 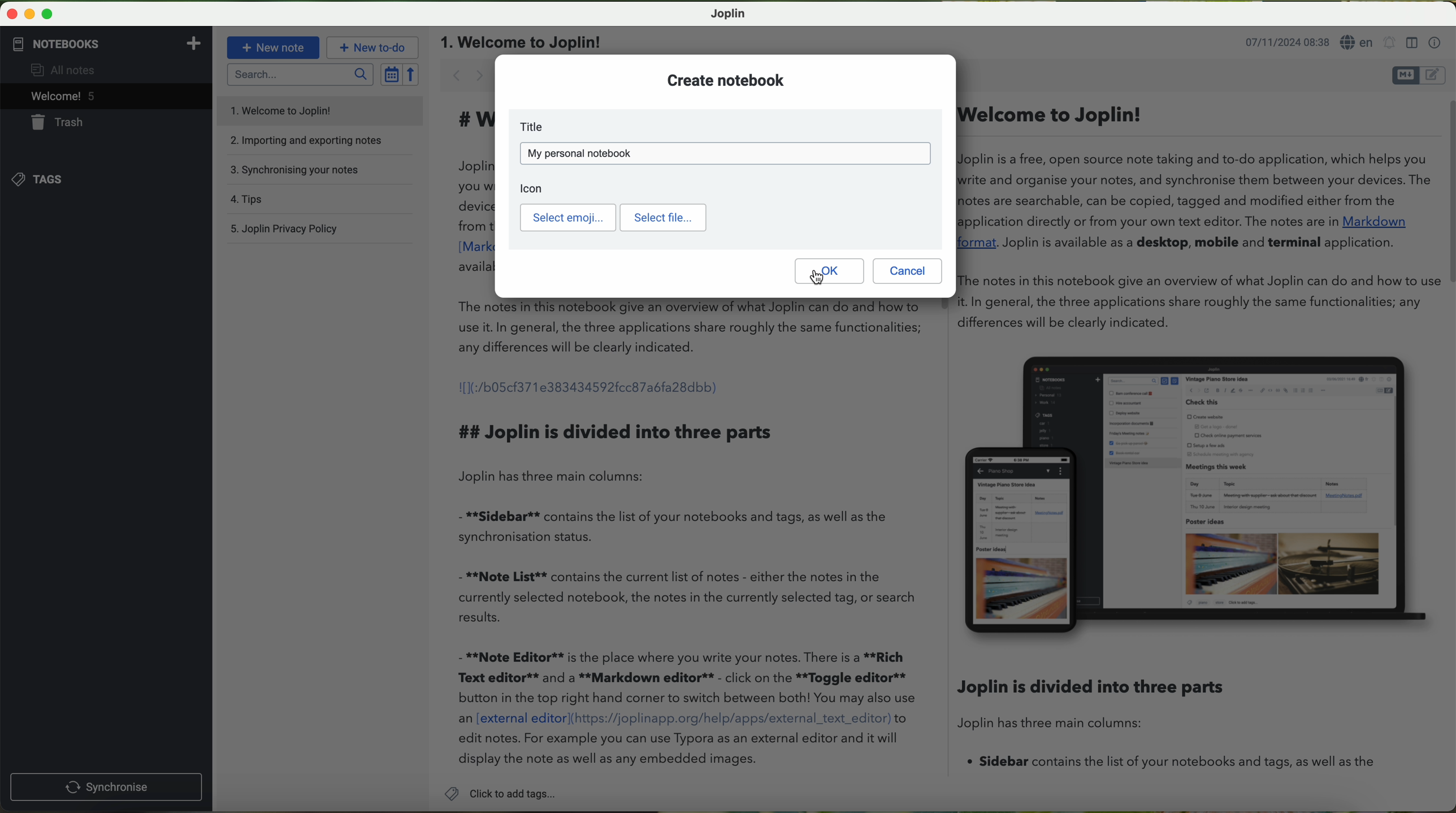 I want to click on name file, so click(x=522, y=41).